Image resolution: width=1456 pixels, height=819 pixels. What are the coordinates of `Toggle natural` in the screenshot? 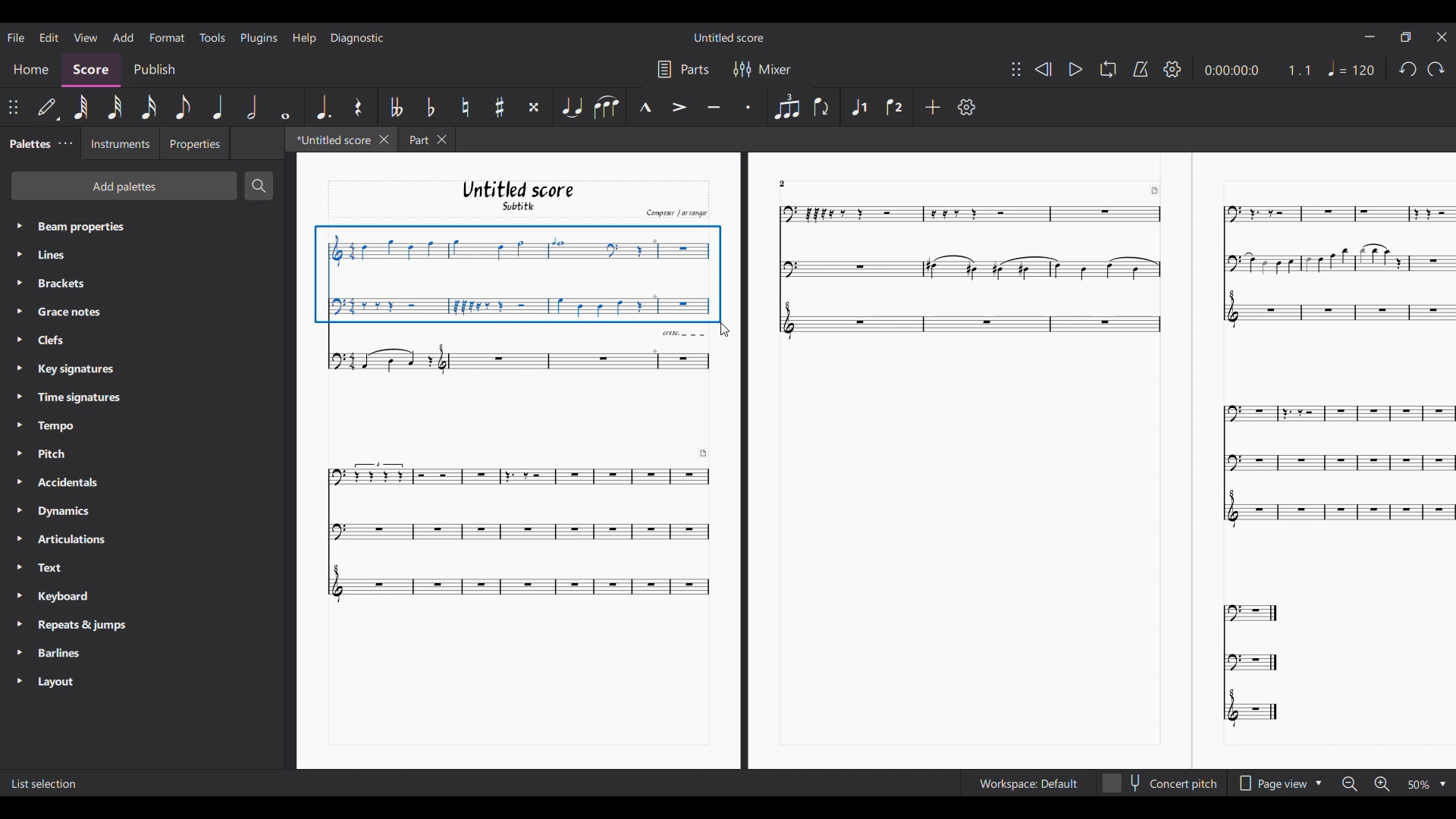 It's located at (465, 107).